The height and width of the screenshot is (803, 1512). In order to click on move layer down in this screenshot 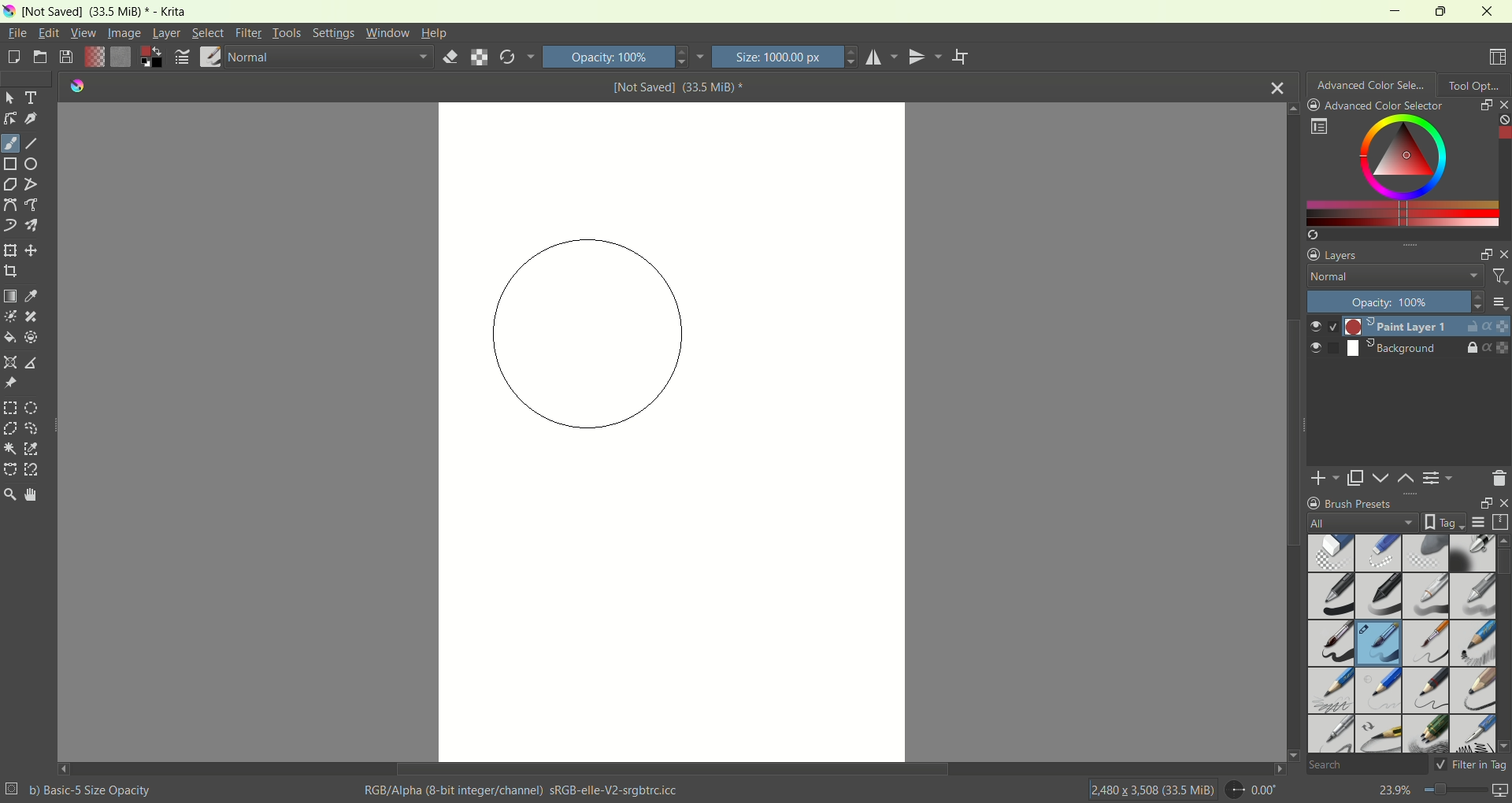, I will do `click(1382, 478)`.